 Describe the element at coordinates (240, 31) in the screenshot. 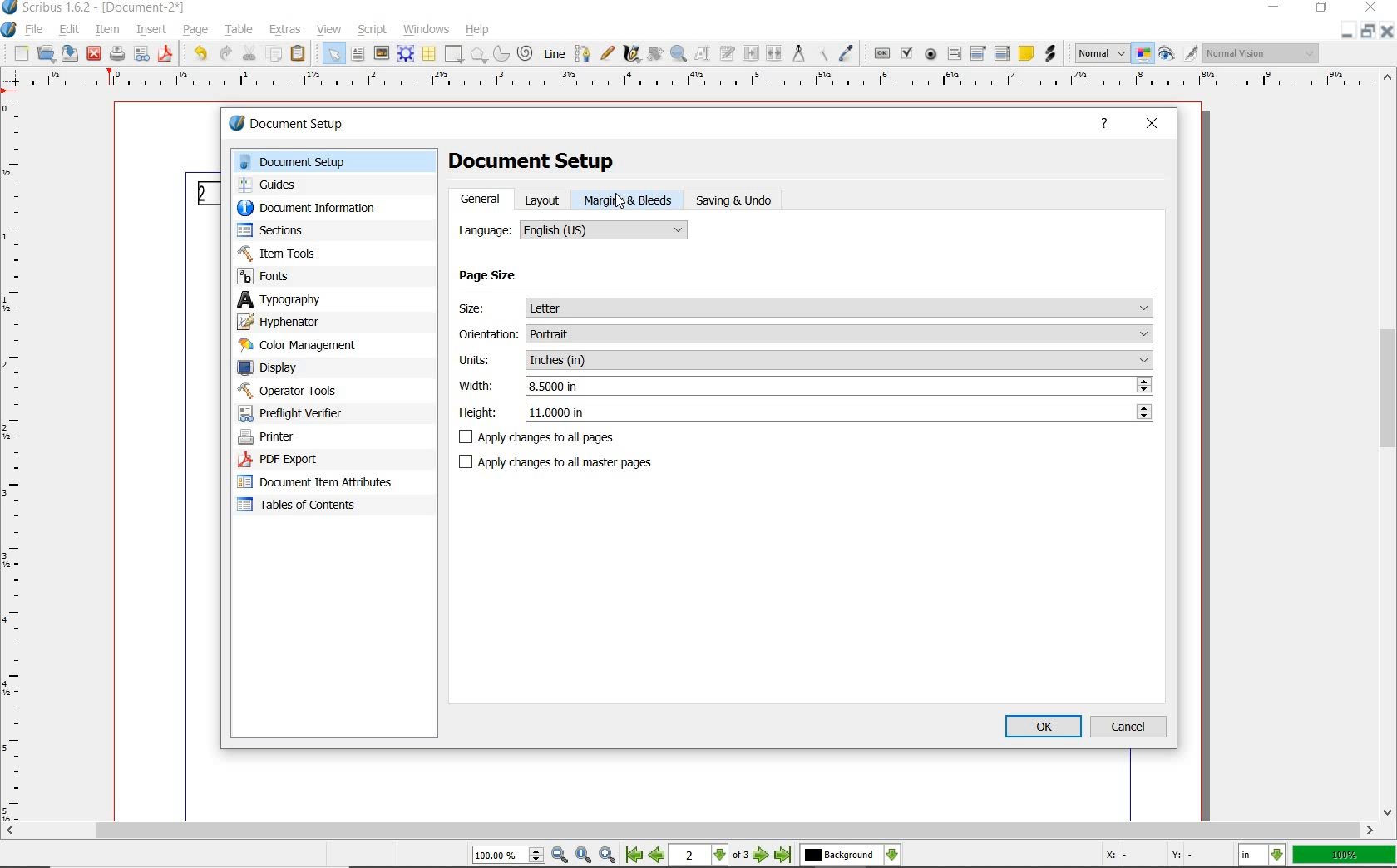

I see `table` at that location.